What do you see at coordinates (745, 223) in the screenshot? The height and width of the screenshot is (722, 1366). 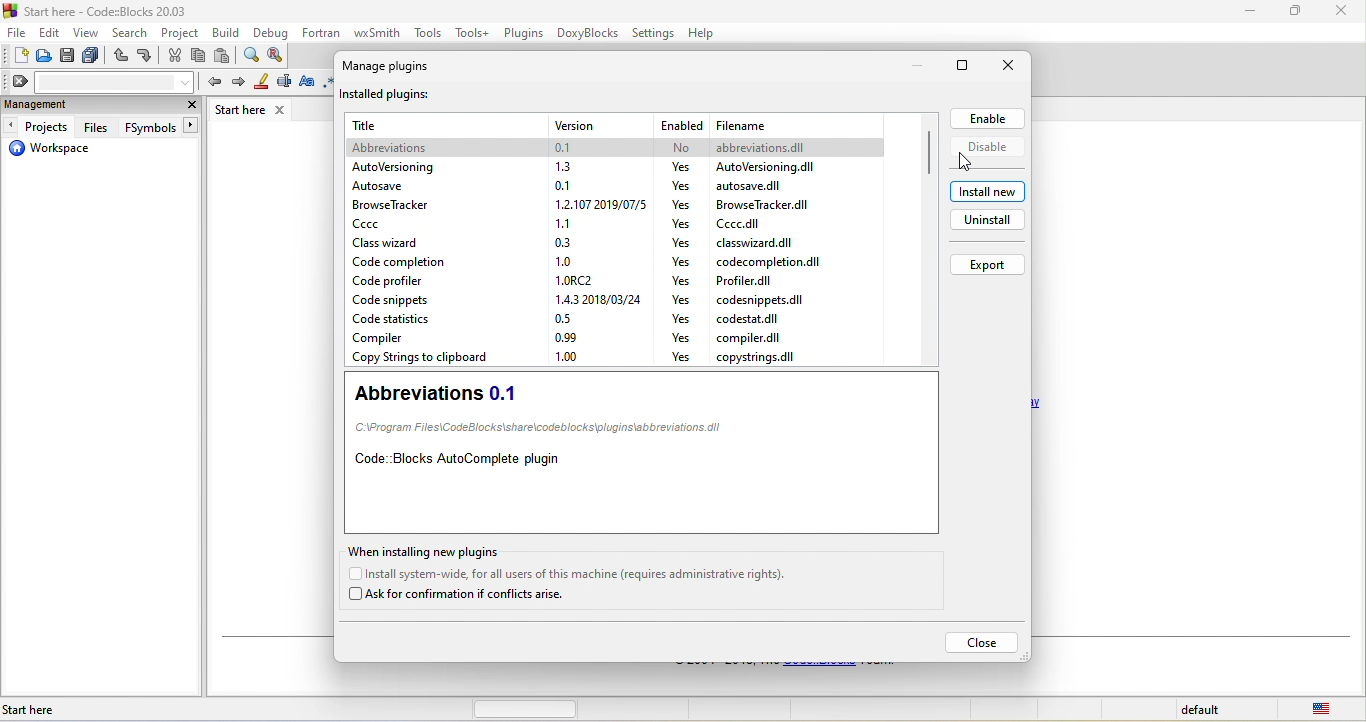 I see `file` at bounding box center [745, 223].